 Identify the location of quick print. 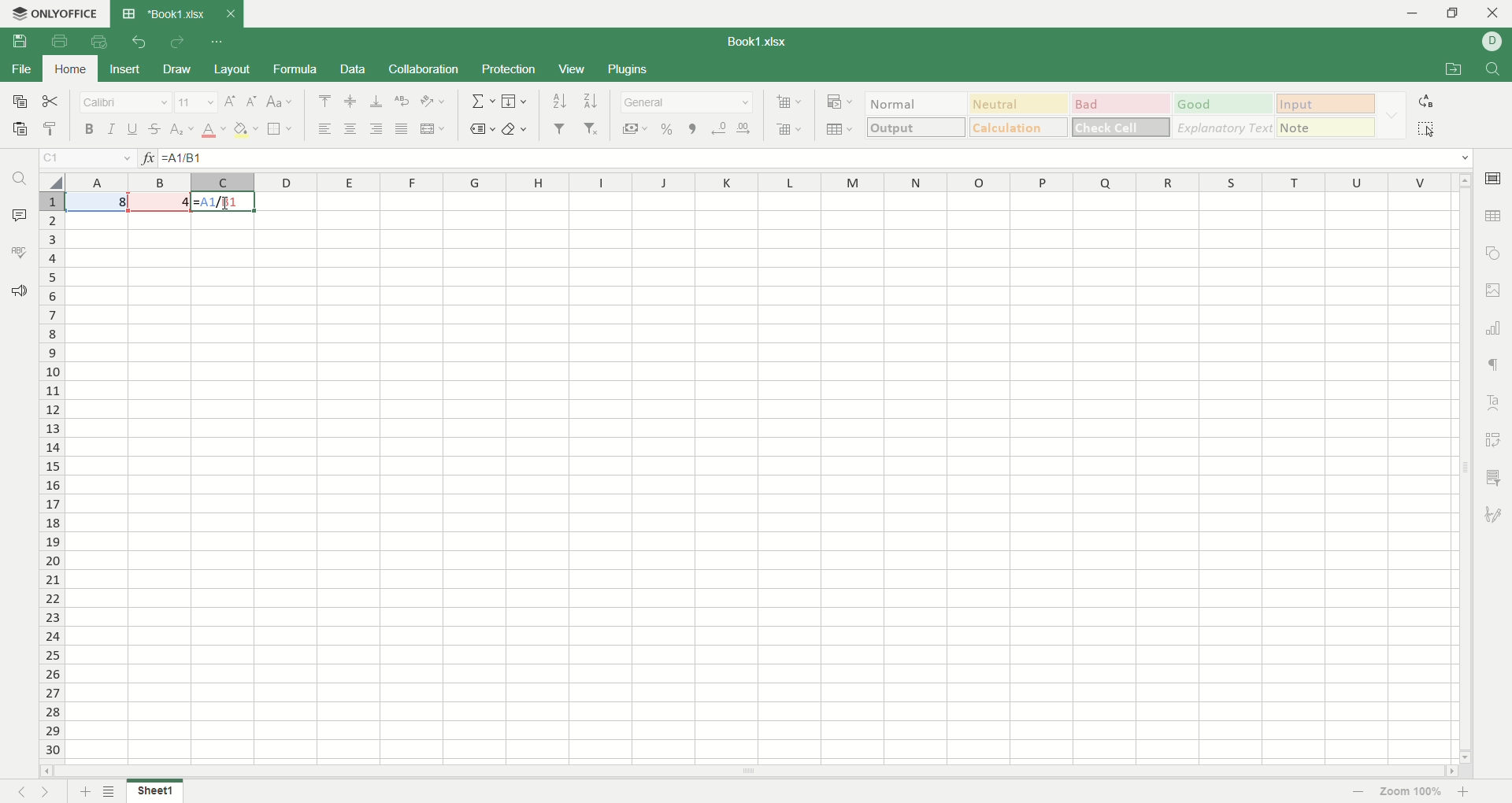
(97, 42).